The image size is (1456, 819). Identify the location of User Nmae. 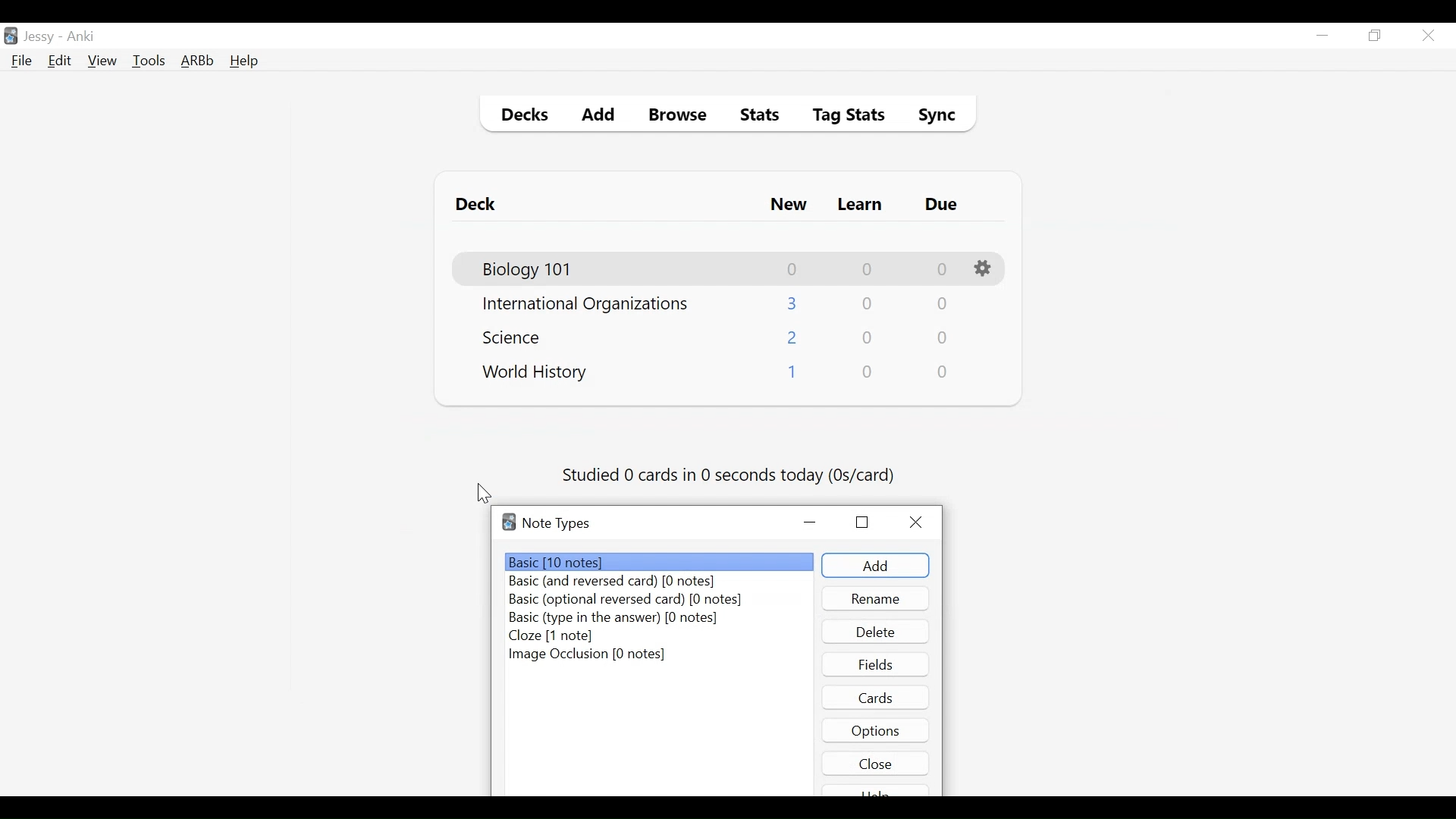
(42, 37).